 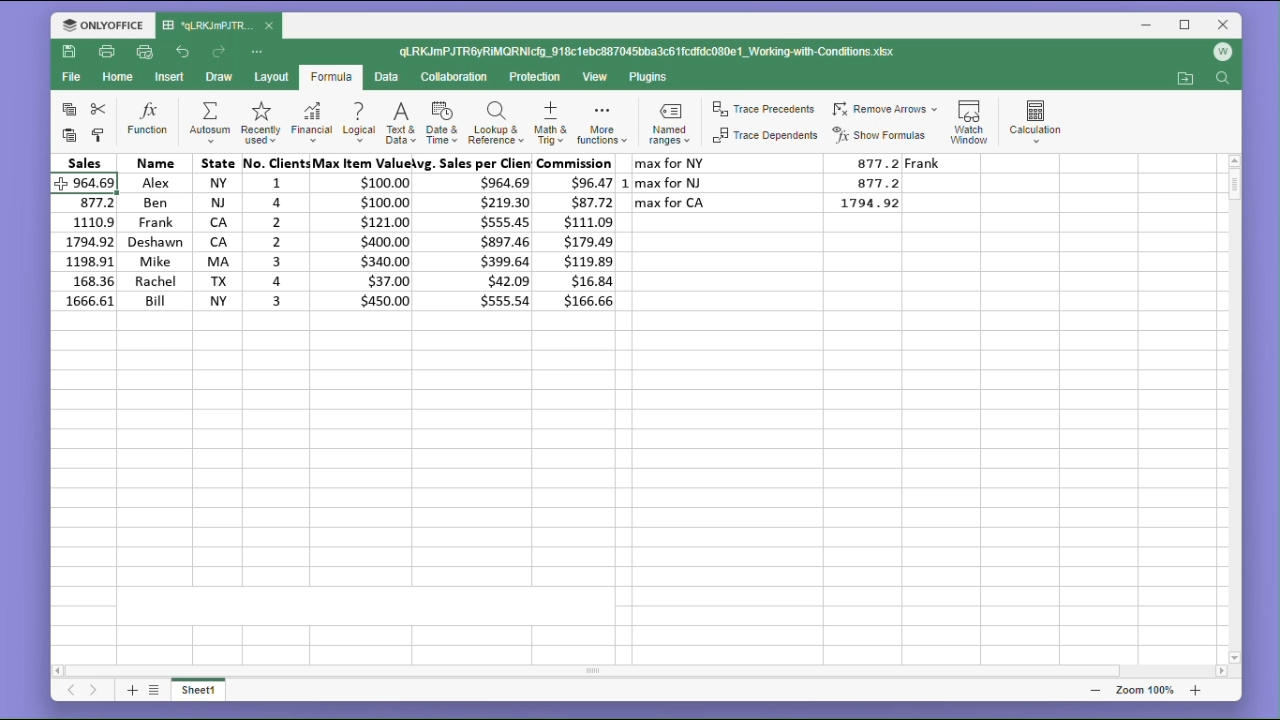 I want to click on function, so click(x=148, y=120).